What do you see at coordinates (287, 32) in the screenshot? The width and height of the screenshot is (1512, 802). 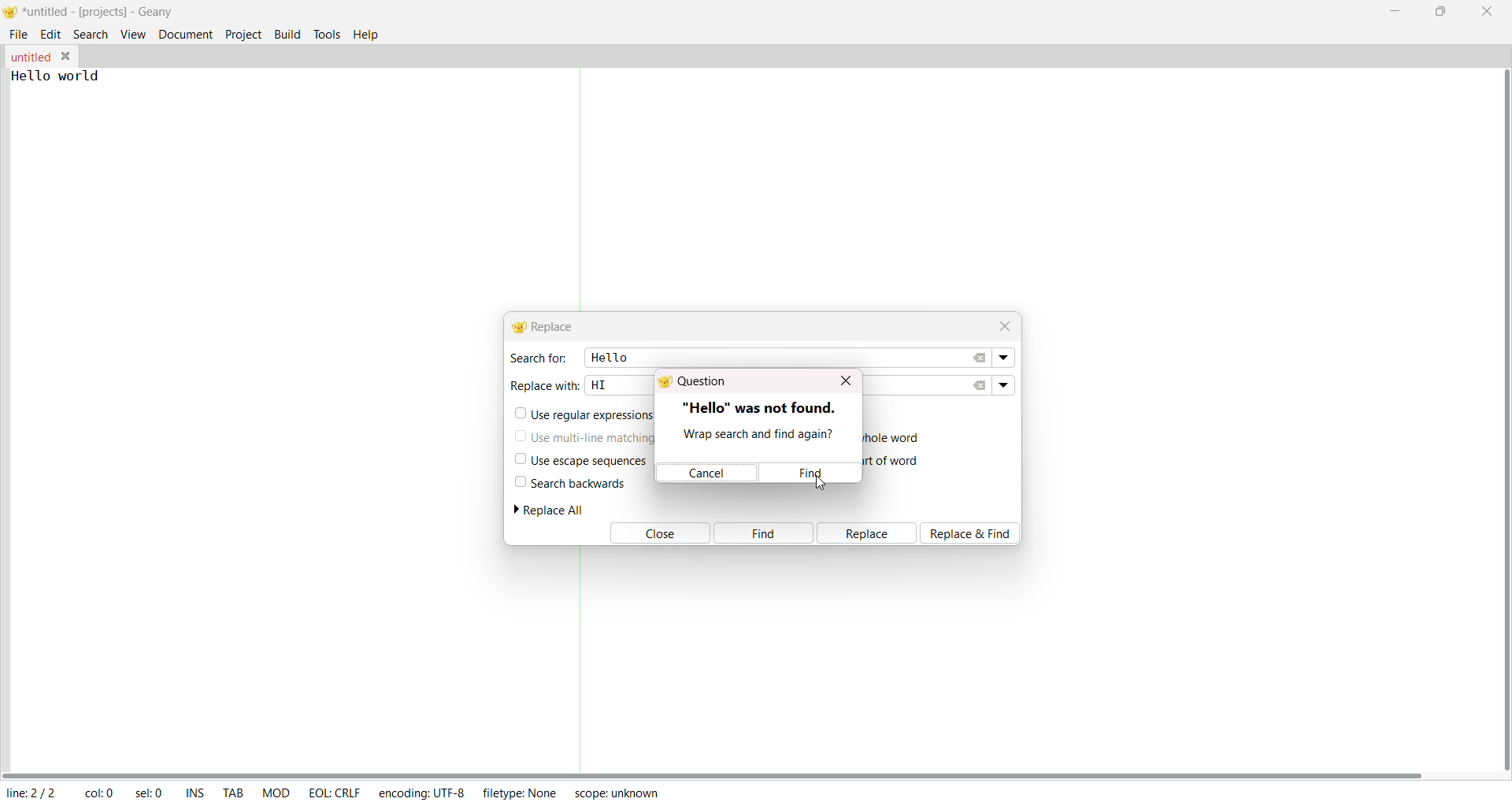 I see `build` at bounding box center [287, 32].